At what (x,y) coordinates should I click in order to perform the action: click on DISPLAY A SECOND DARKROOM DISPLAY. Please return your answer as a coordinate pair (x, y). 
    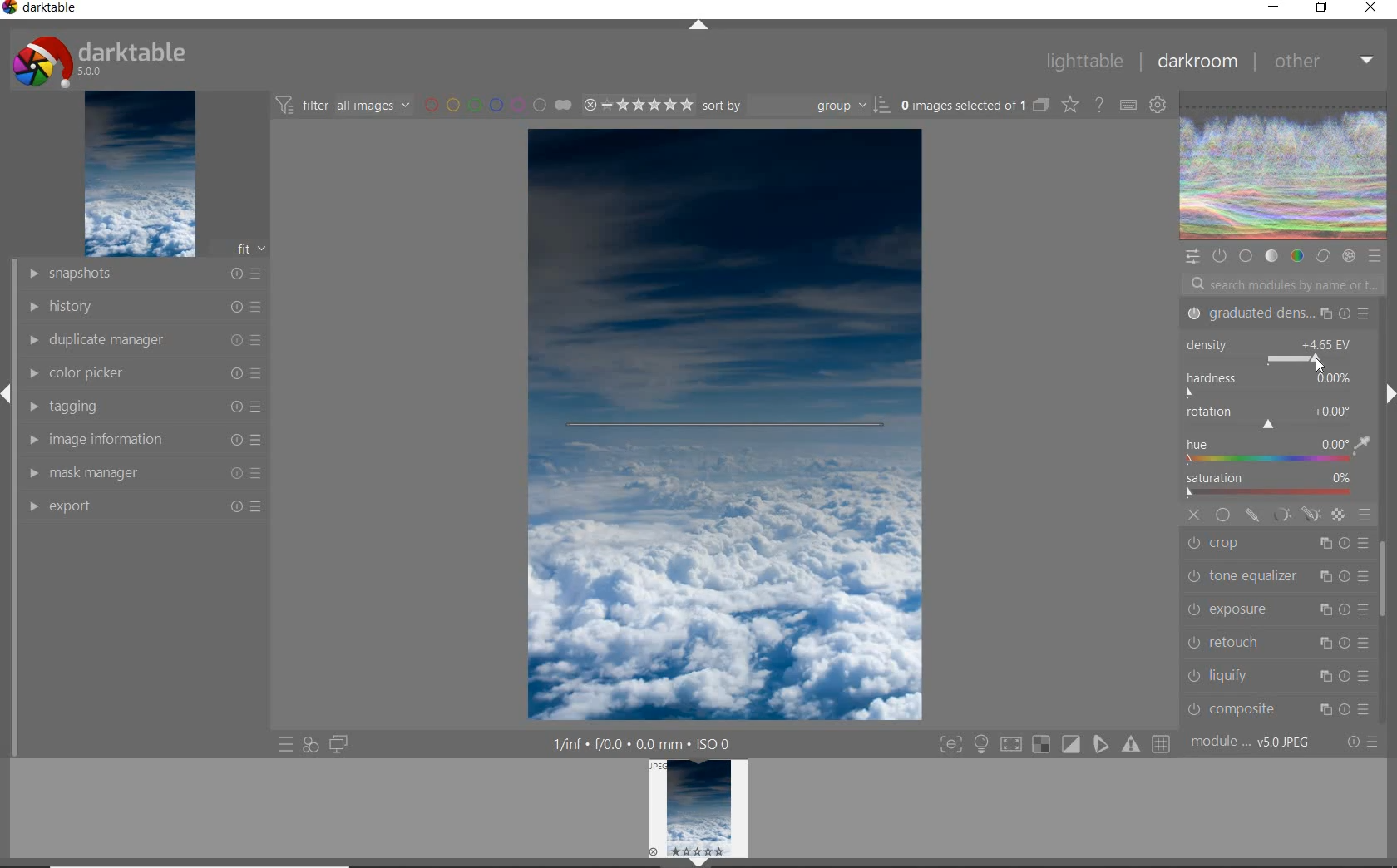
    Looking at the image, I should click on (338, 745).